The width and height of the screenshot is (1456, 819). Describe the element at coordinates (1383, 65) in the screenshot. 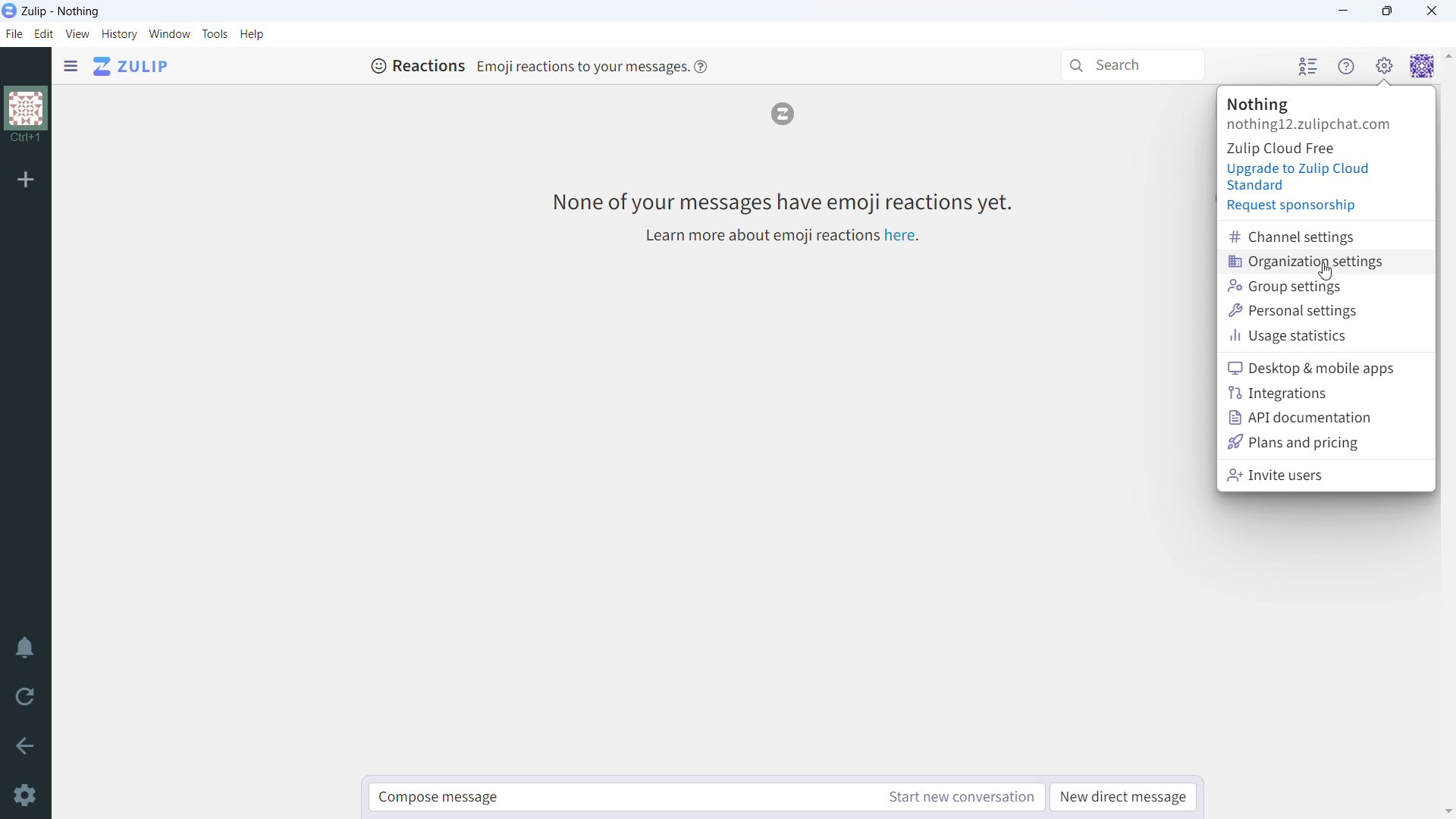

I see `main menu` at that location.